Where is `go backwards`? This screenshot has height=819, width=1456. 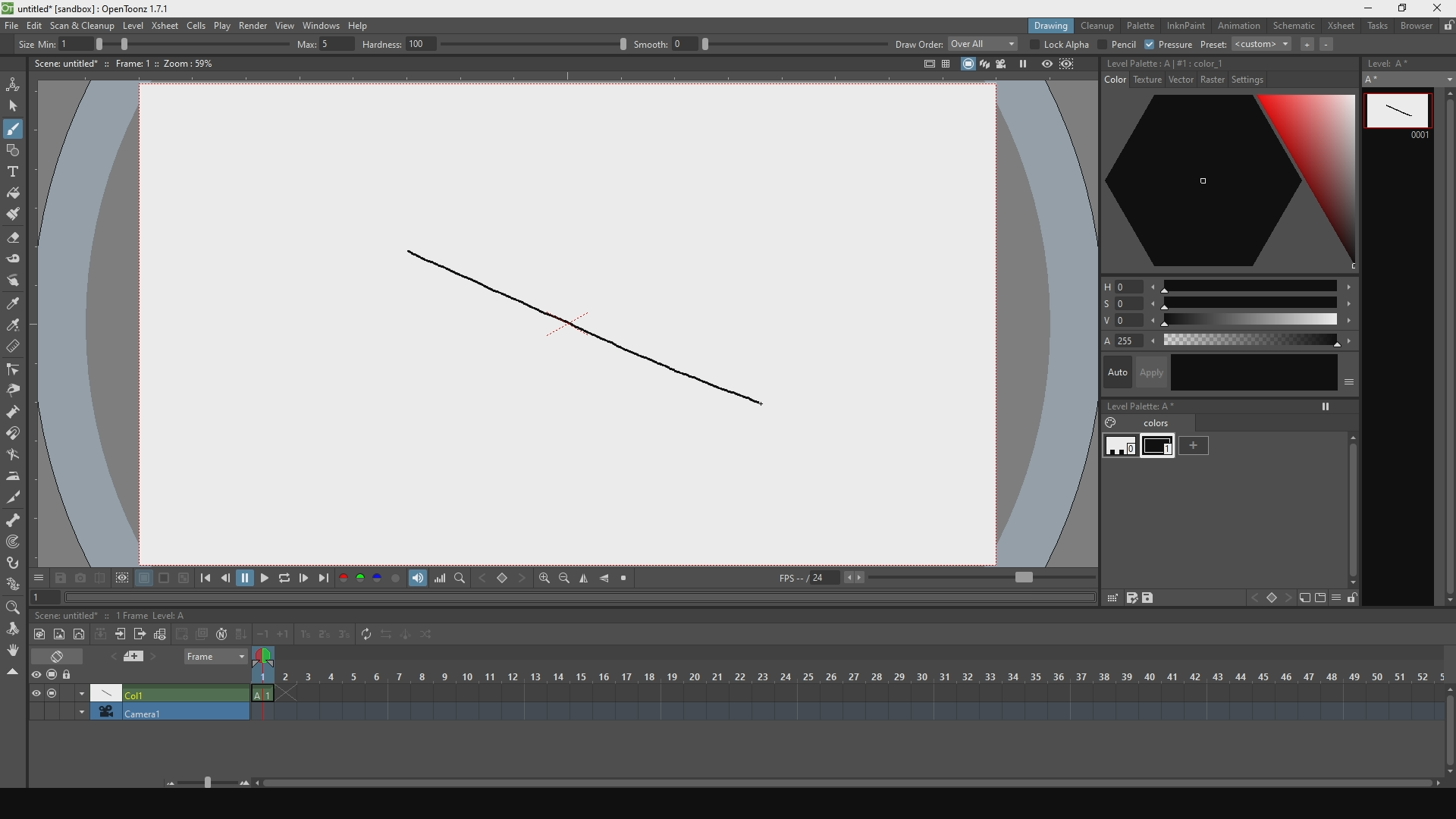 go backwards is located at coordinates (224, 579).